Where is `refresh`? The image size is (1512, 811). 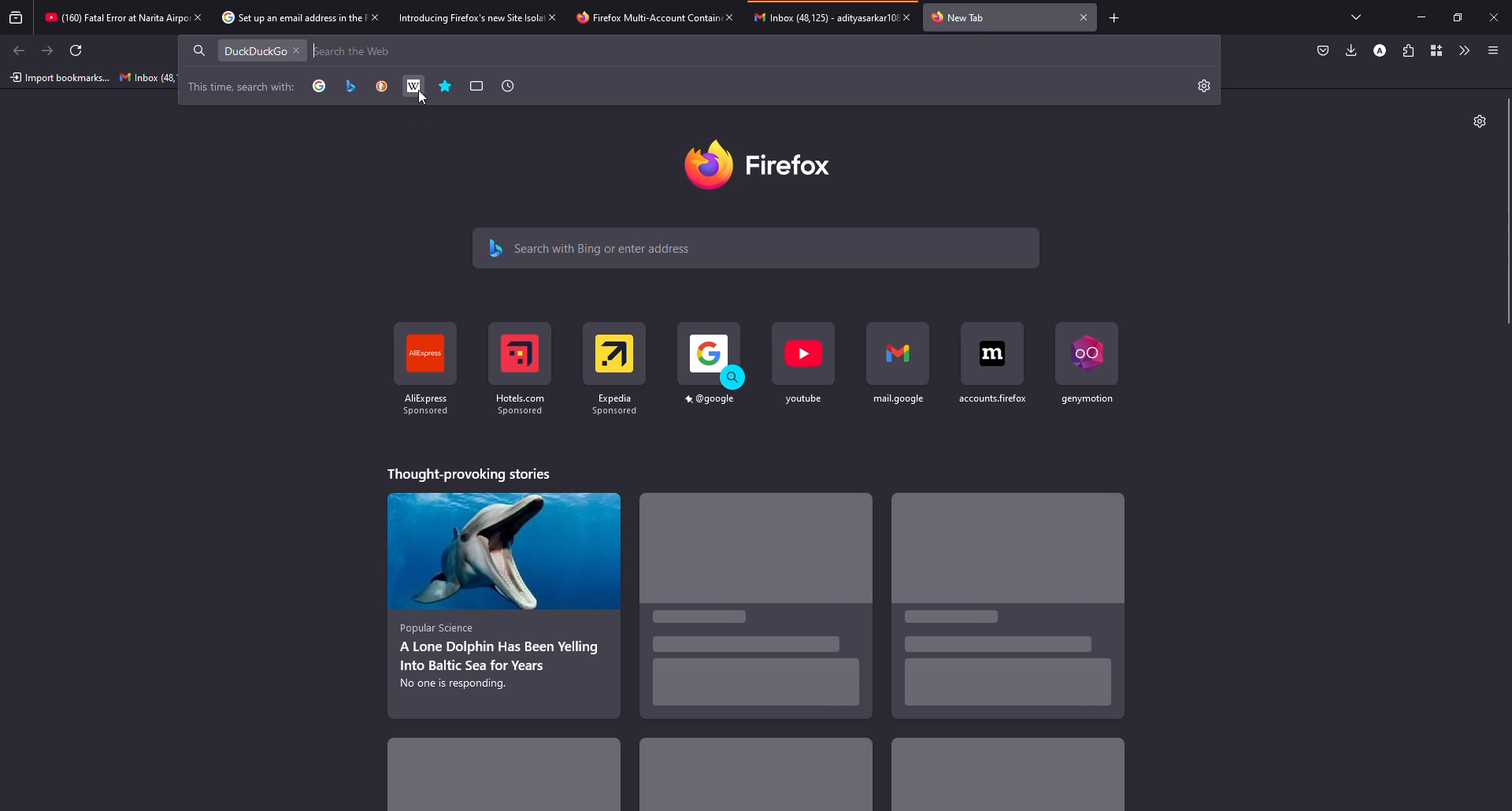 refresh is located at coordinates (74, 50).